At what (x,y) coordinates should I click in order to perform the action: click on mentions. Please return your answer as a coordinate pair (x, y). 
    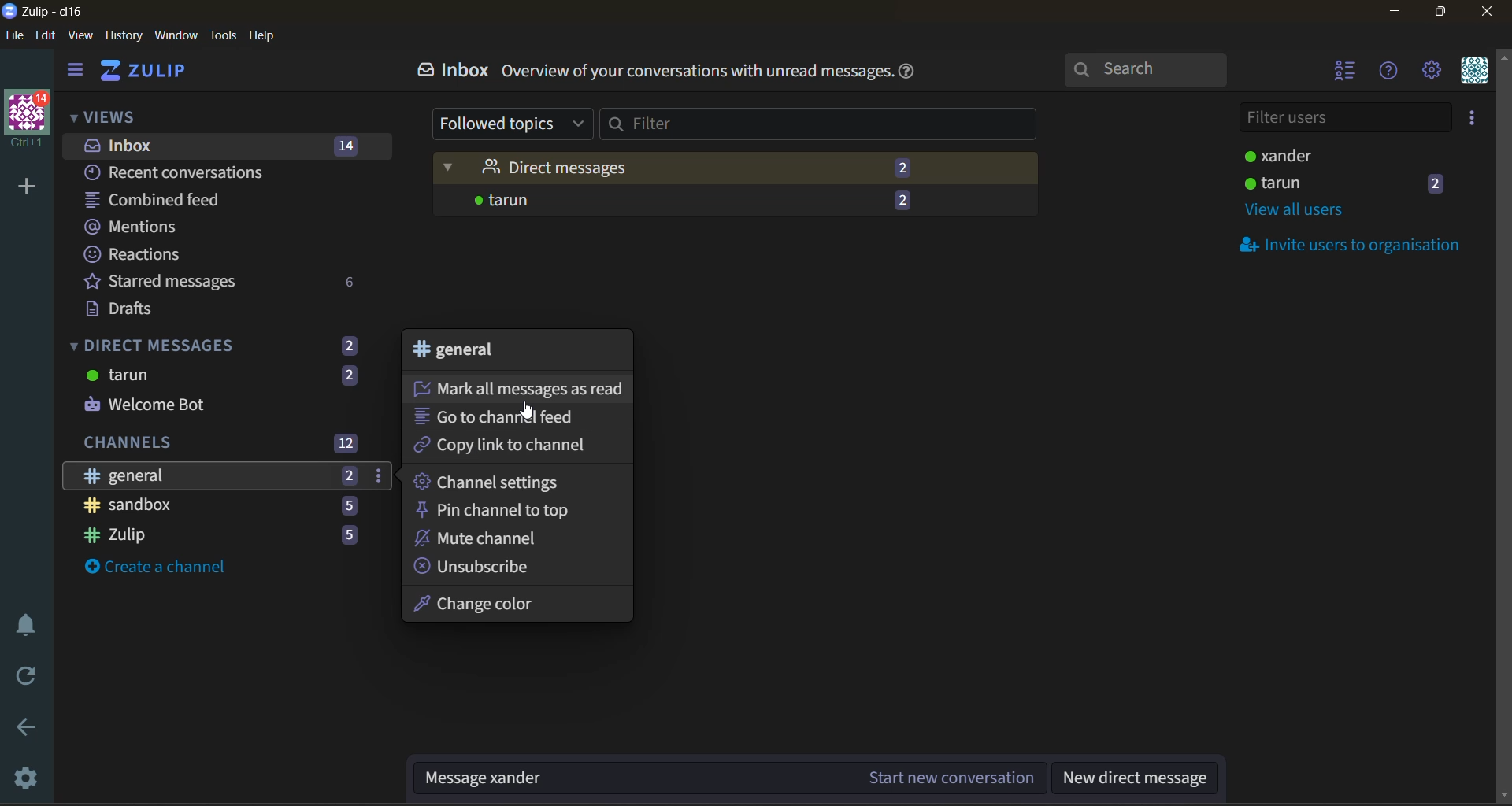
    Looking at the image, I should click on (143, 228).